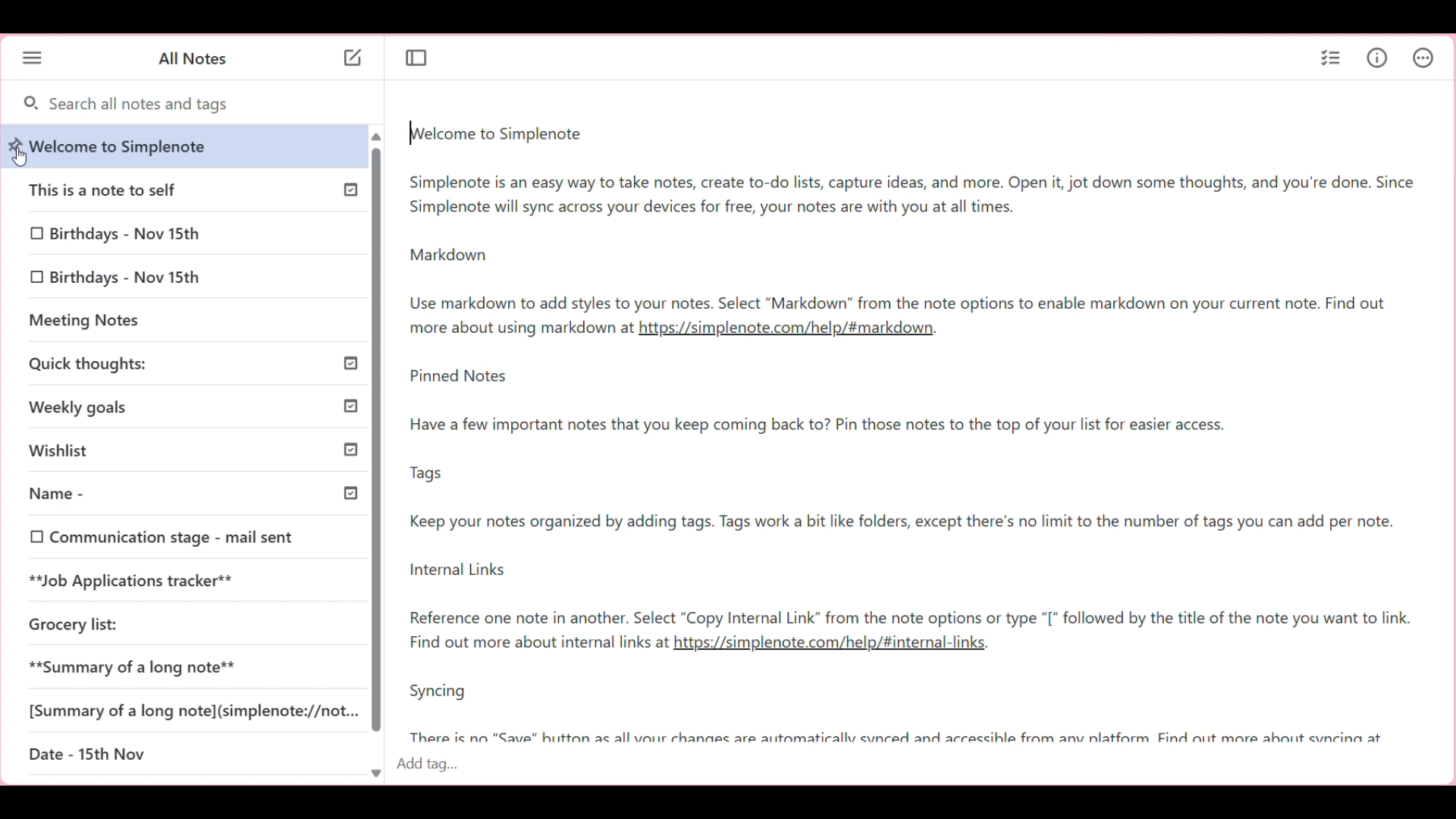 This screenshot has height=819, width=1456. Describe the element at coordinates (64, 623) in the screenshot. I see `Grocery list:` at that location.